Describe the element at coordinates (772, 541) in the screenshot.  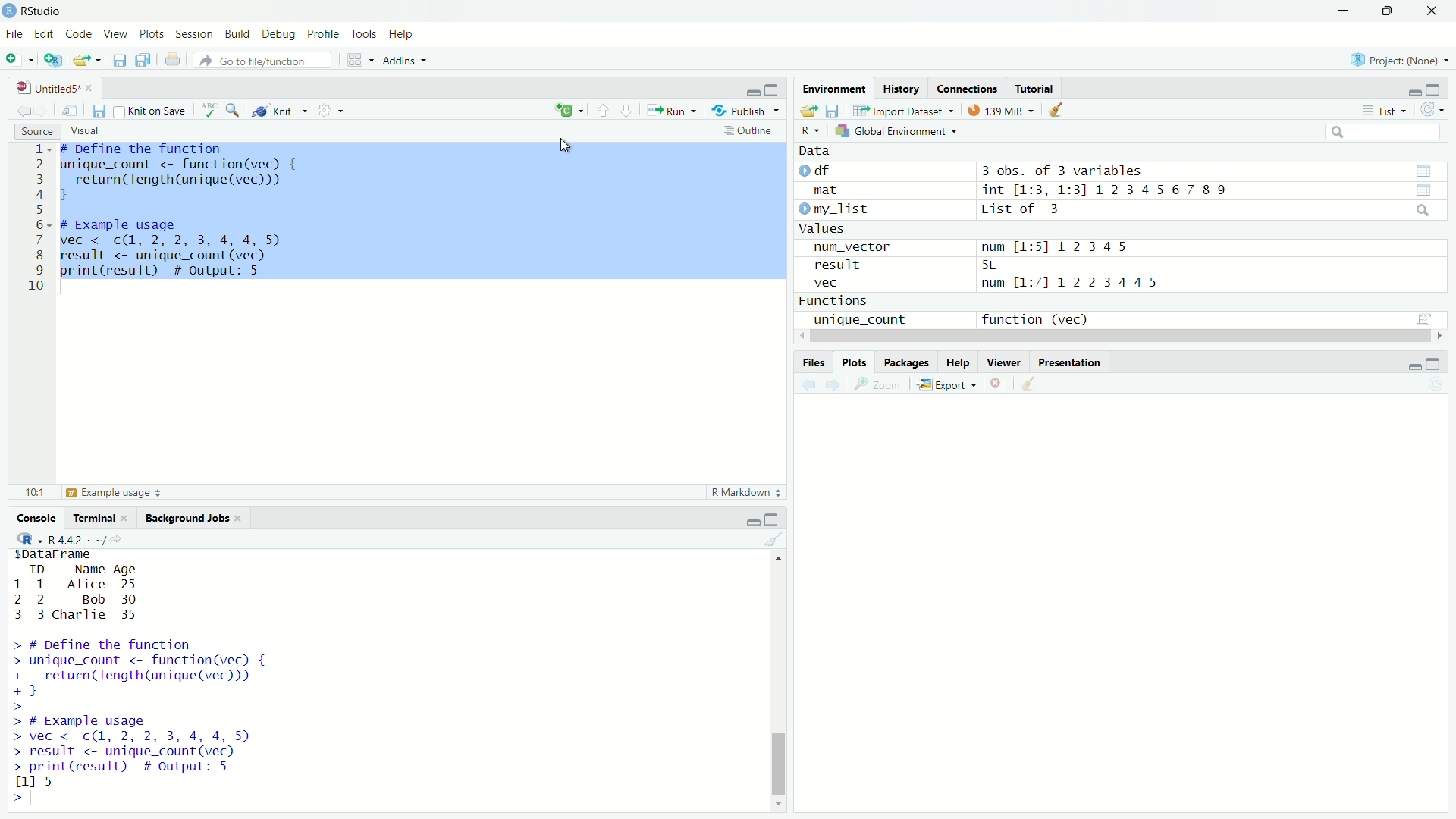
I see `clear console` at that location.